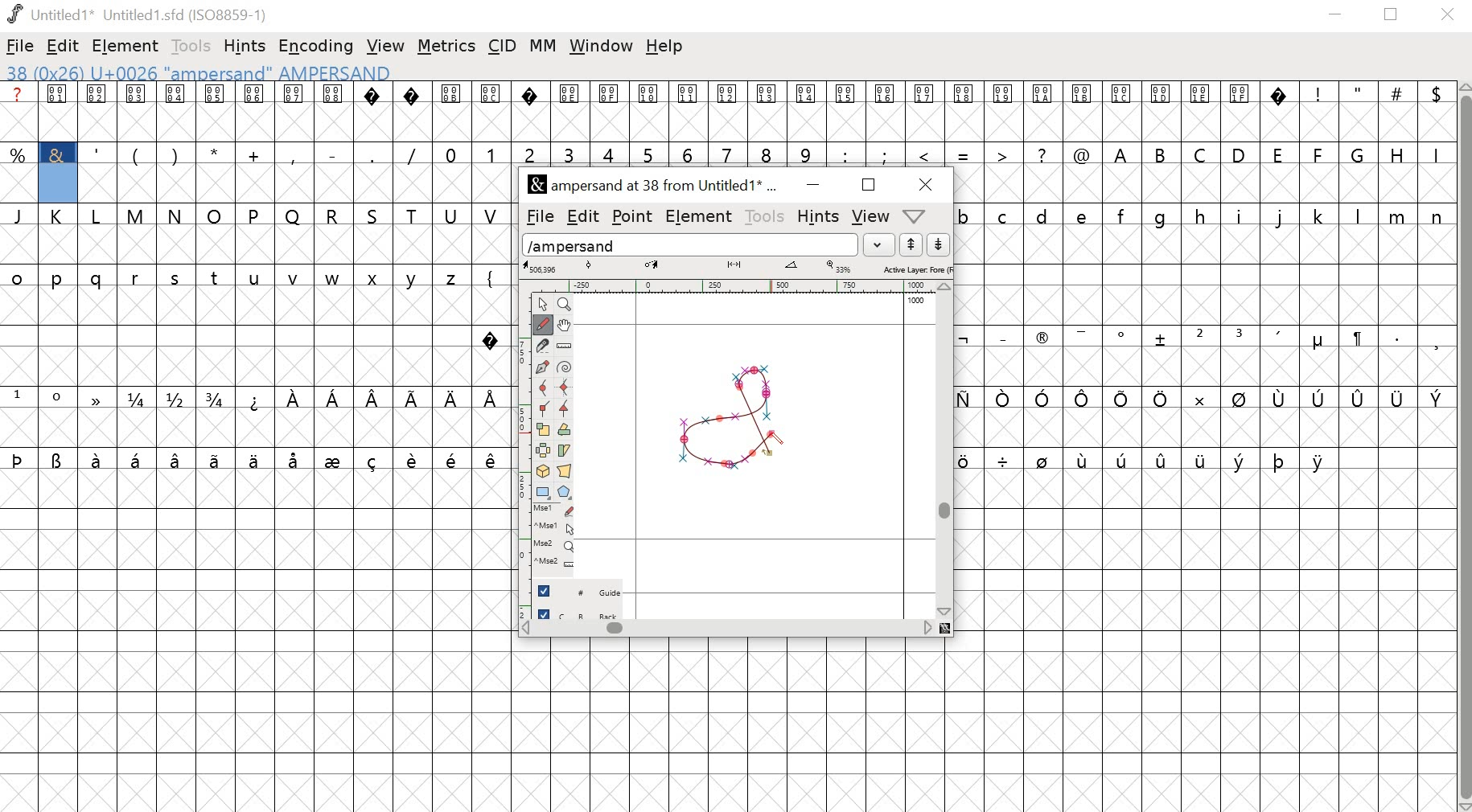 This screenshot has width=1472, height=812. I want to click on help, so click(667, 47).